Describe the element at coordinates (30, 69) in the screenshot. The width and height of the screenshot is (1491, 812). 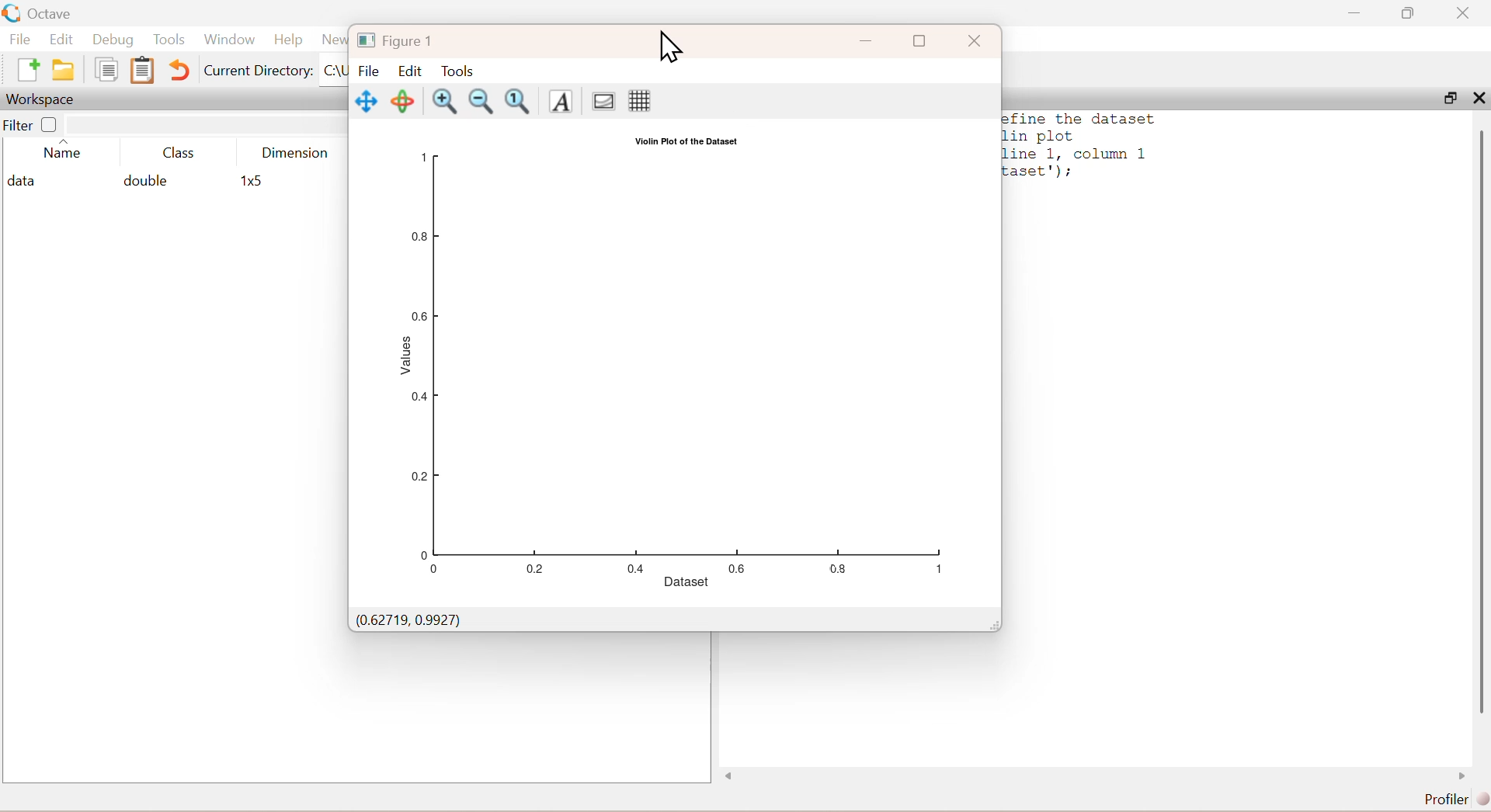
I see `add file` at that location.